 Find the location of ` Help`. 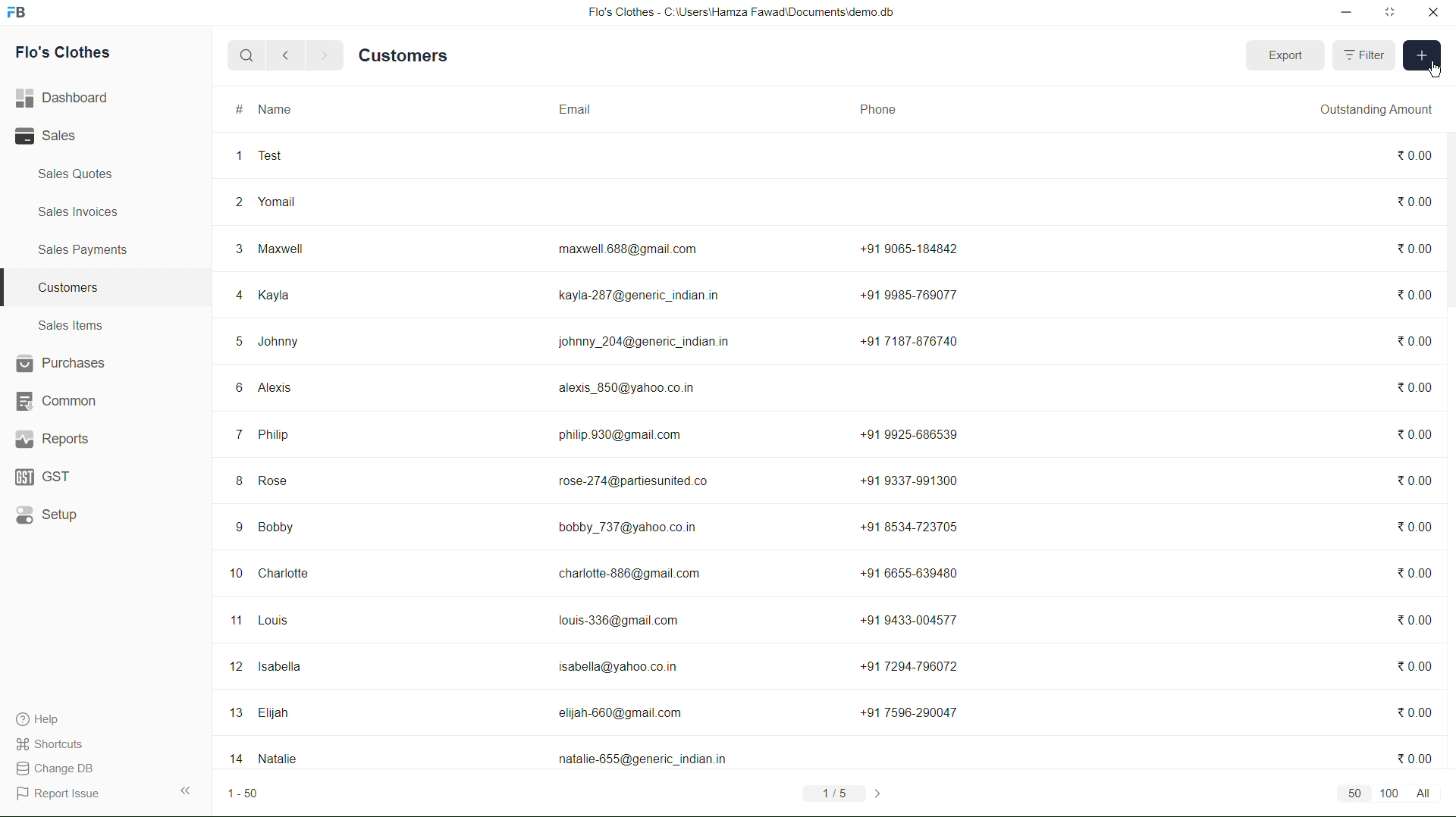

 Help is located at coordinates (45, 717).